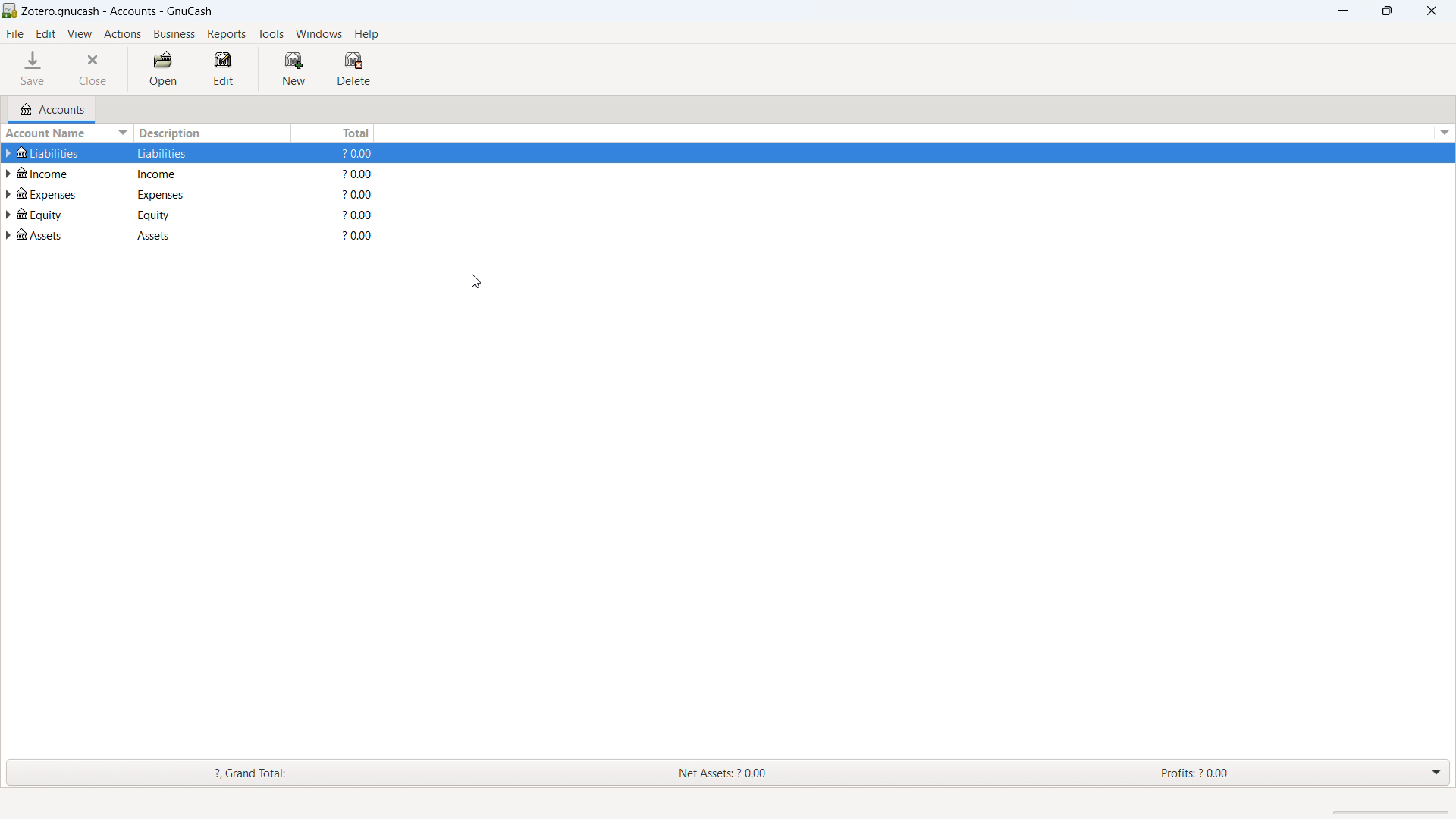  What do you see at coordinates (1391, 812) in the screenshot?
I see `scrollbar` at bounding box center [1391, 812].